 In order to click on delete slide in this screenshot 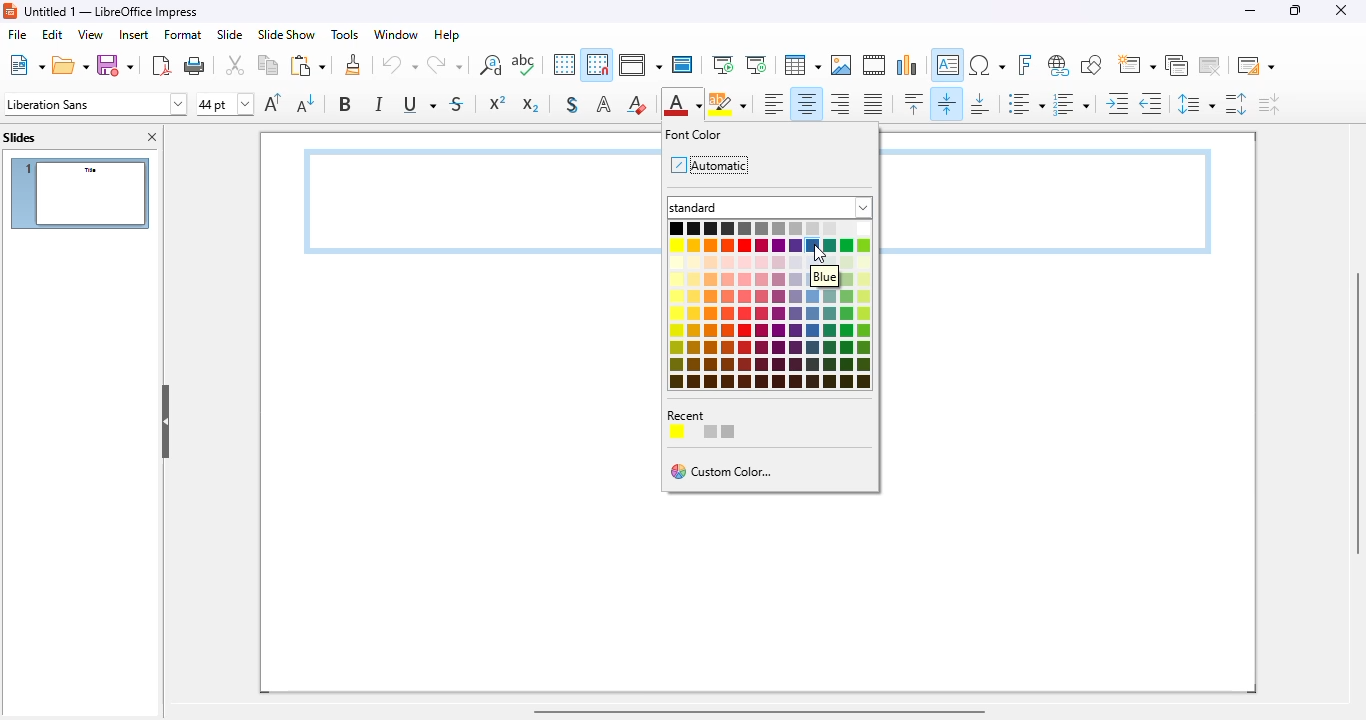, I will do `click(1211, 65)`.